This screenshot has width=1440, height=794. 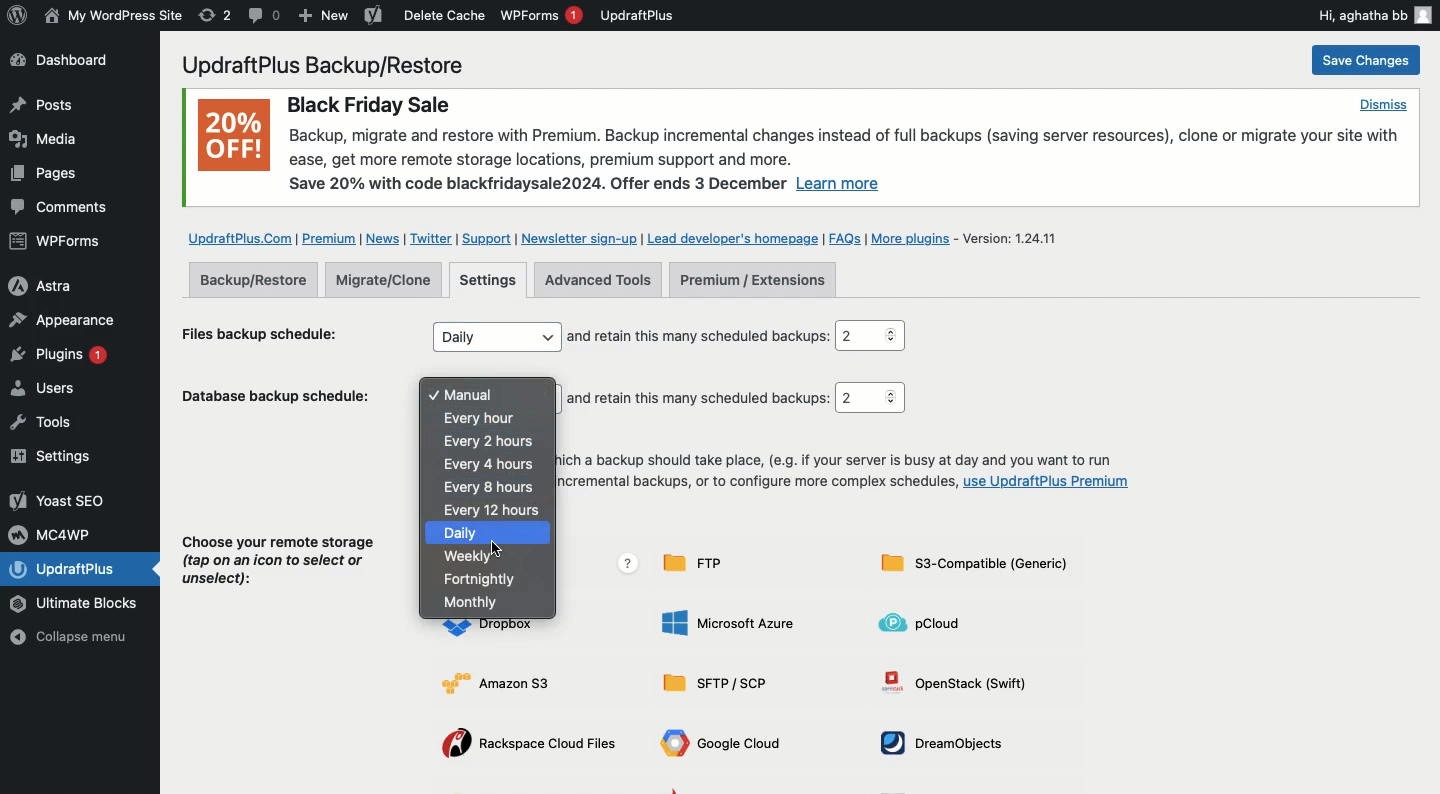 I want to click on Dashboard, so click(x=72, y=62).